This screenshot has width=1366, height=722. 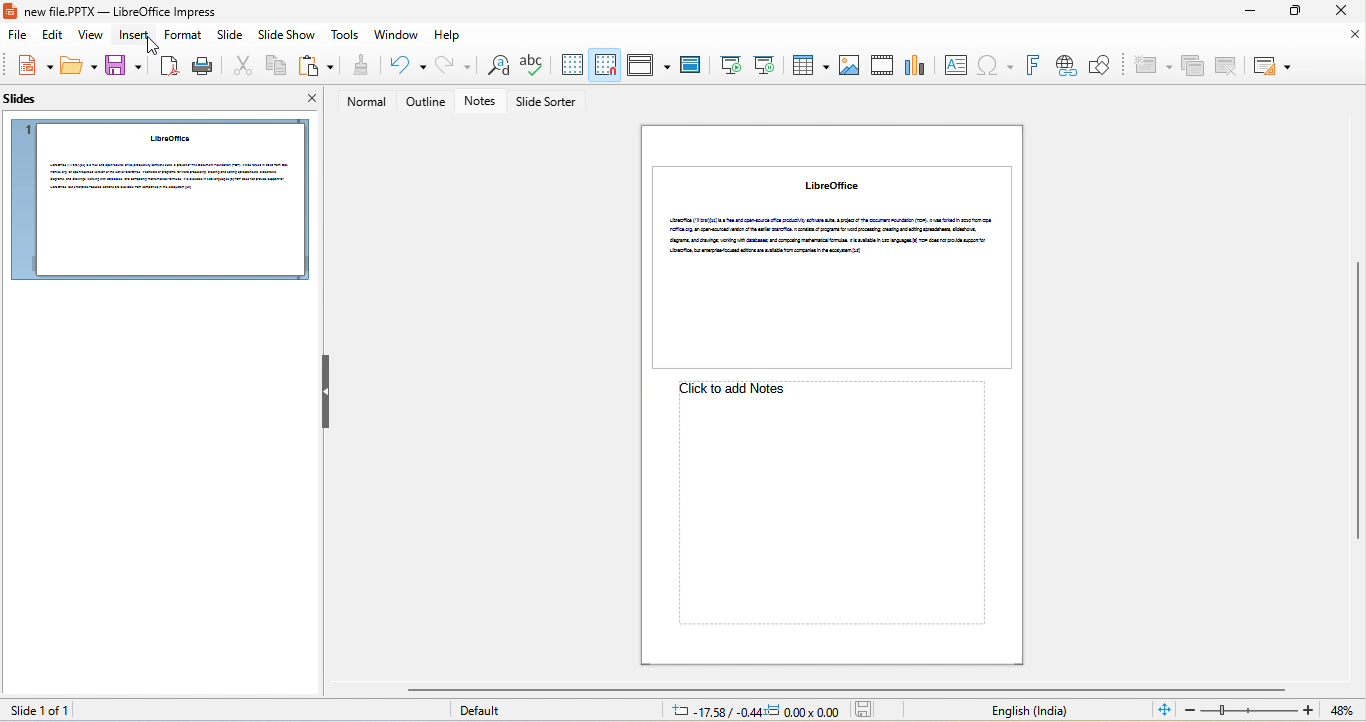 What do you see at coordinates (50, 37) in the screenshot?
I see `edit` at bounding box center [50, 37].